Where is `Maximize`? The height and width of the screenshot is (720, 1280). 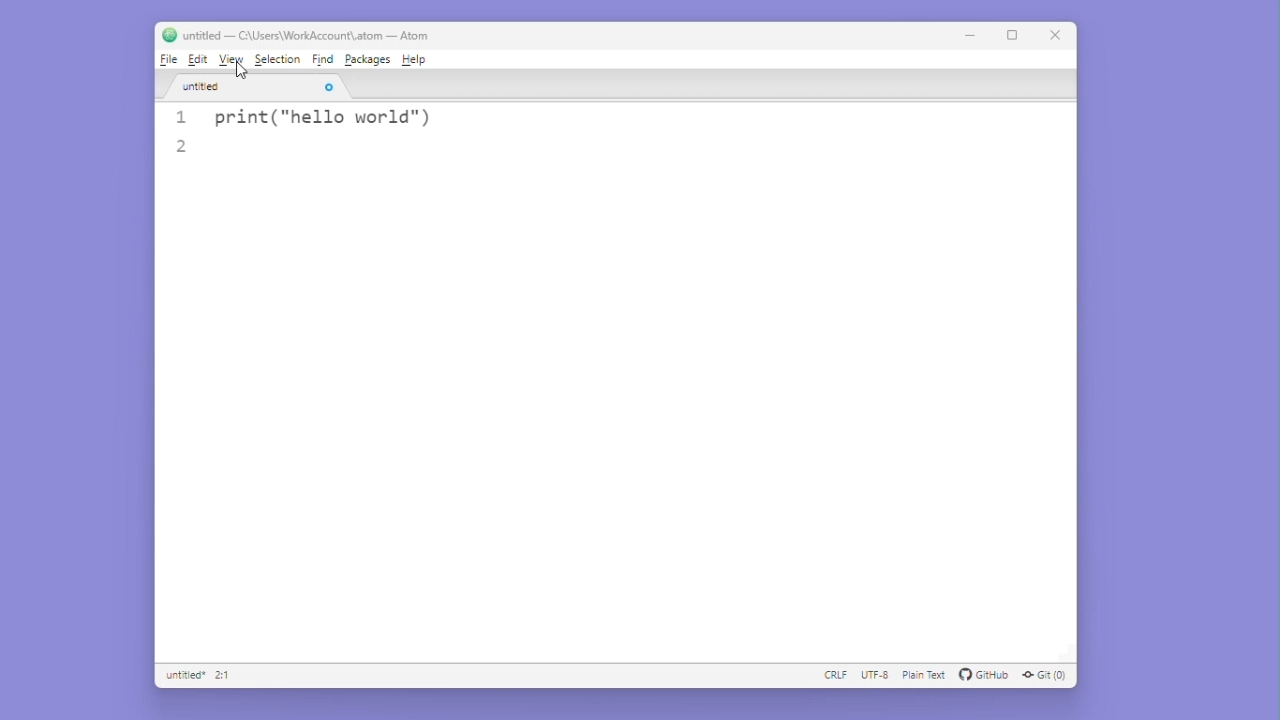 Maximize is located at coordinates (1014, 34).